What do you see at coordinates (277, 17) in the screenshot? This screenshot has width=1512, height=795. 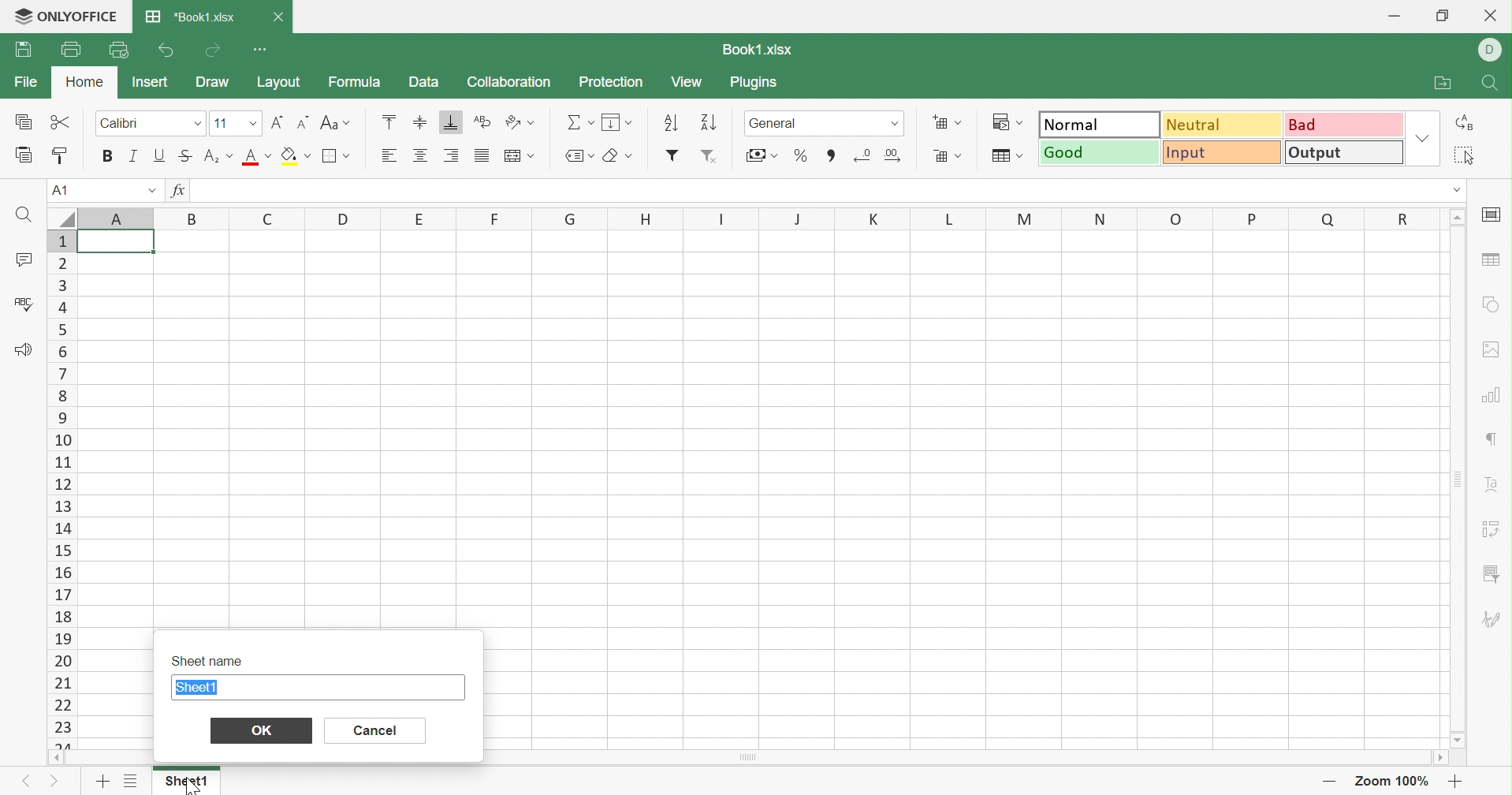 I see `Close` at bounding box center [277, 17].